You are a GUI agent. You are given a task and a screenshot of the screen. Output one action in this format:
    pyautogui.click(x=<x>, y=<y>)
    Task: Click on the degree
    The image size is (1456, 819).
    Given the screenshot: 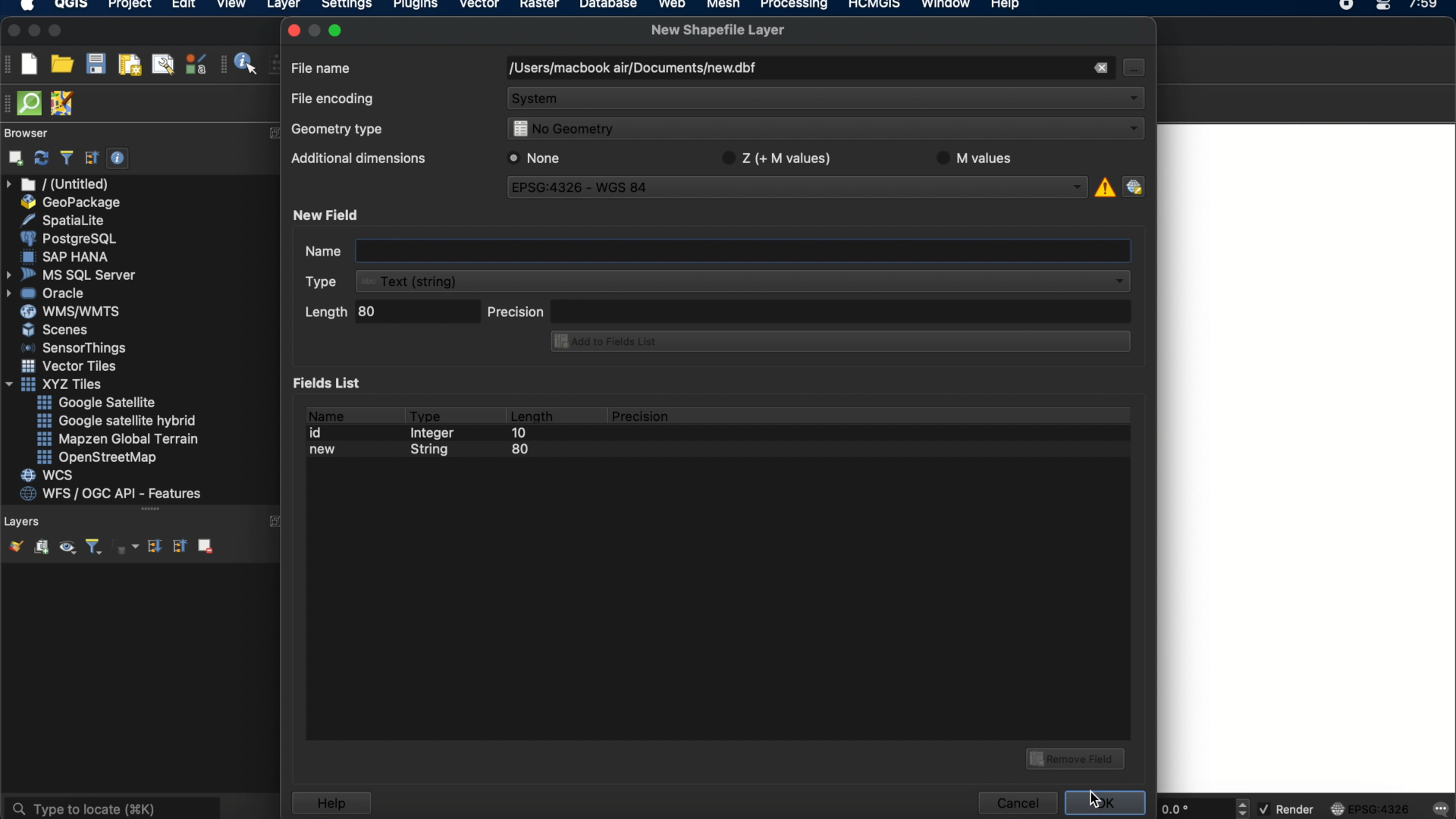 What is the action you would take?
    pyautogui.click(x=1192, y=808)
    